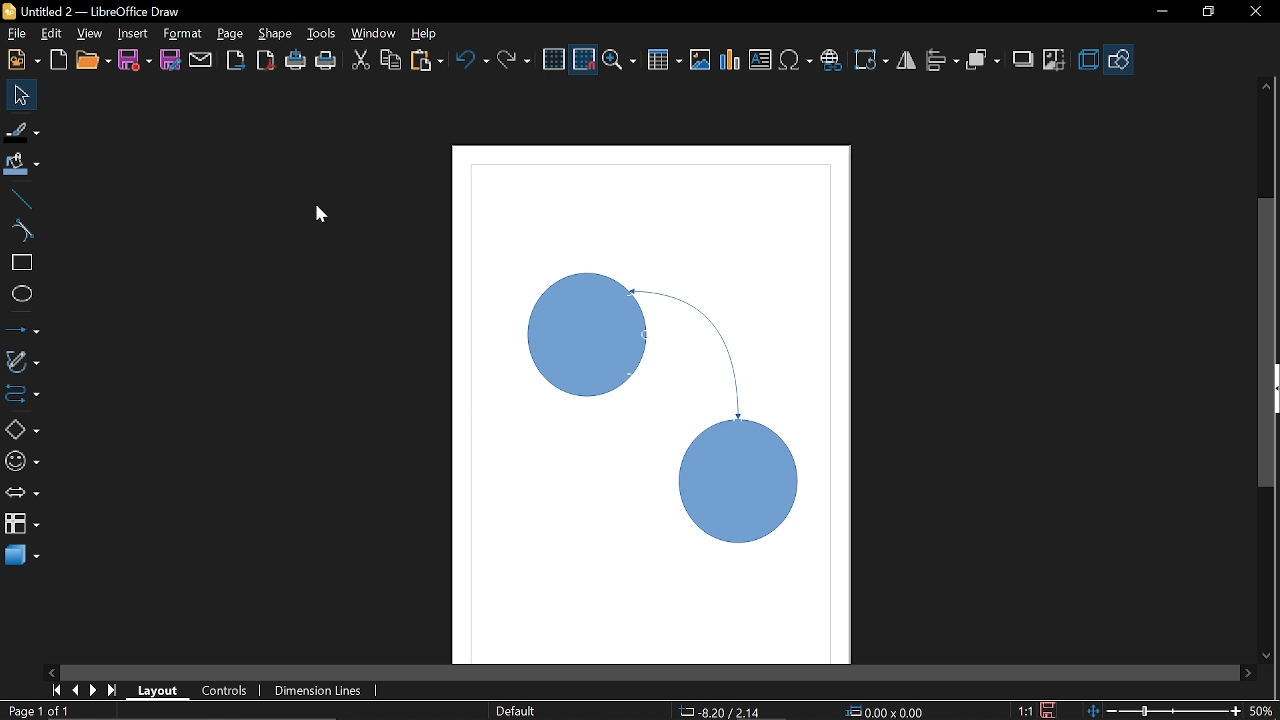 This screenshot has height=720, width=1280. Describe the element at coordinates (232, 35) in the screenshot. I see `Page` at that location.